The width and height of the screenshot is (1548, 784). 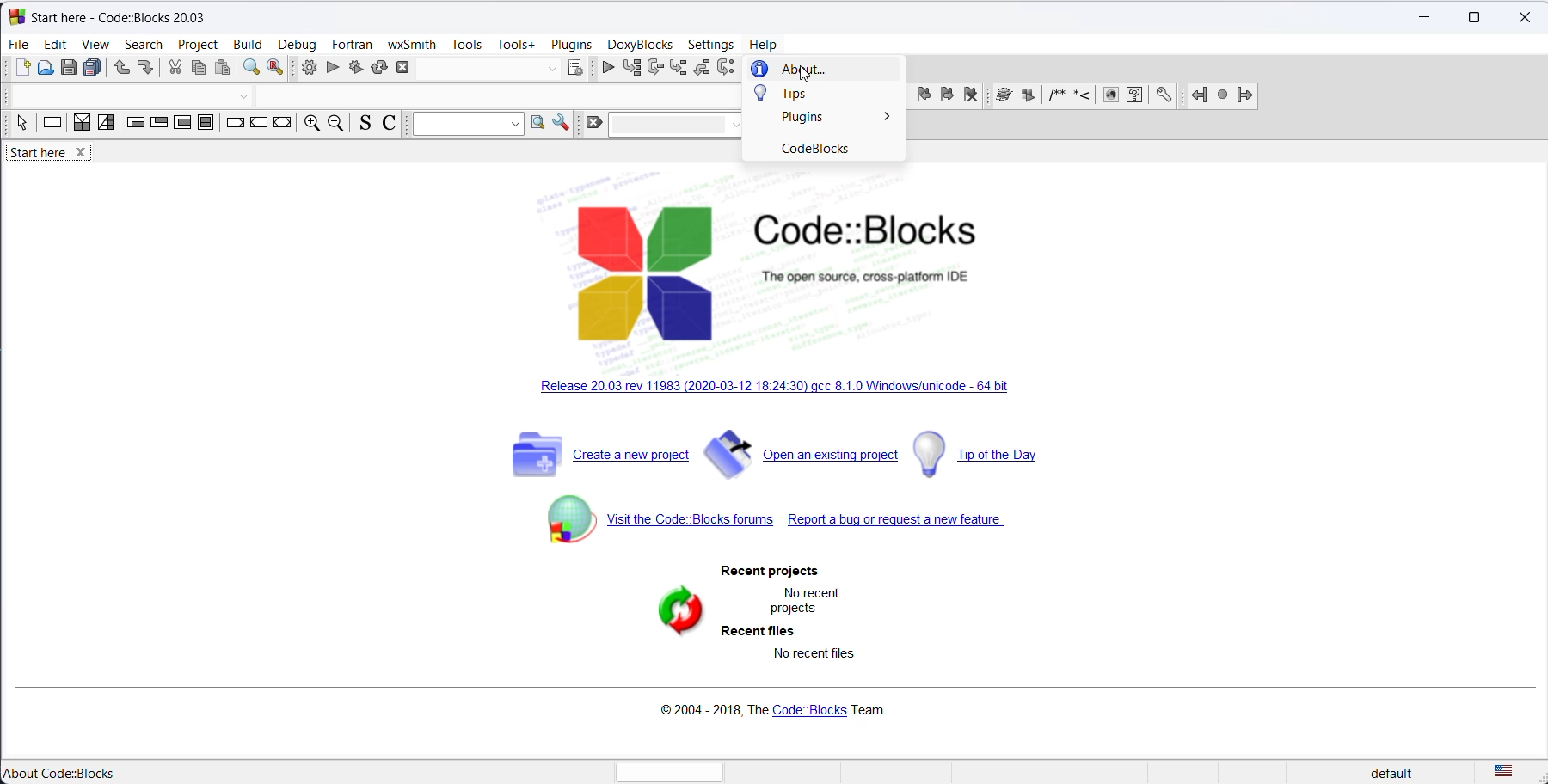 I want to click on find, so click(x=251, y=68).